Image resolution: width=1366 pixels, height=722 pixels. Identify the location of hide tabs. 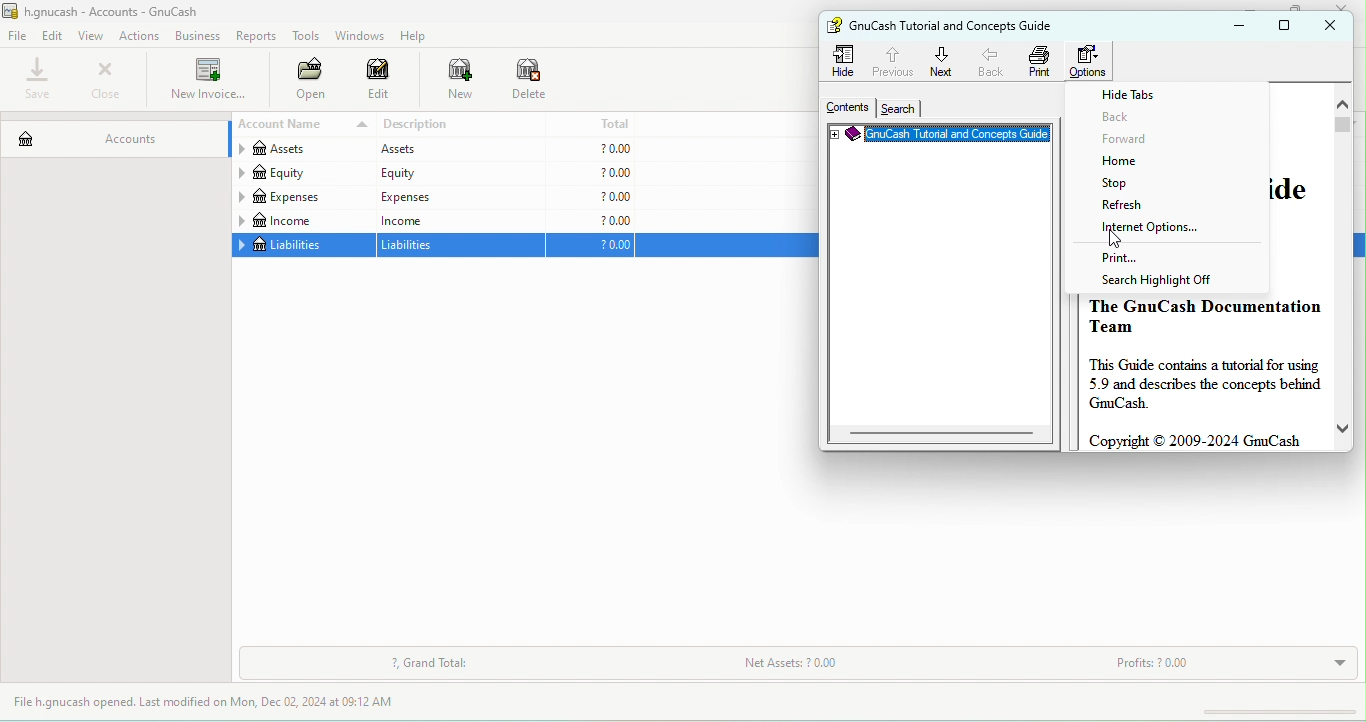
(1139, 95).